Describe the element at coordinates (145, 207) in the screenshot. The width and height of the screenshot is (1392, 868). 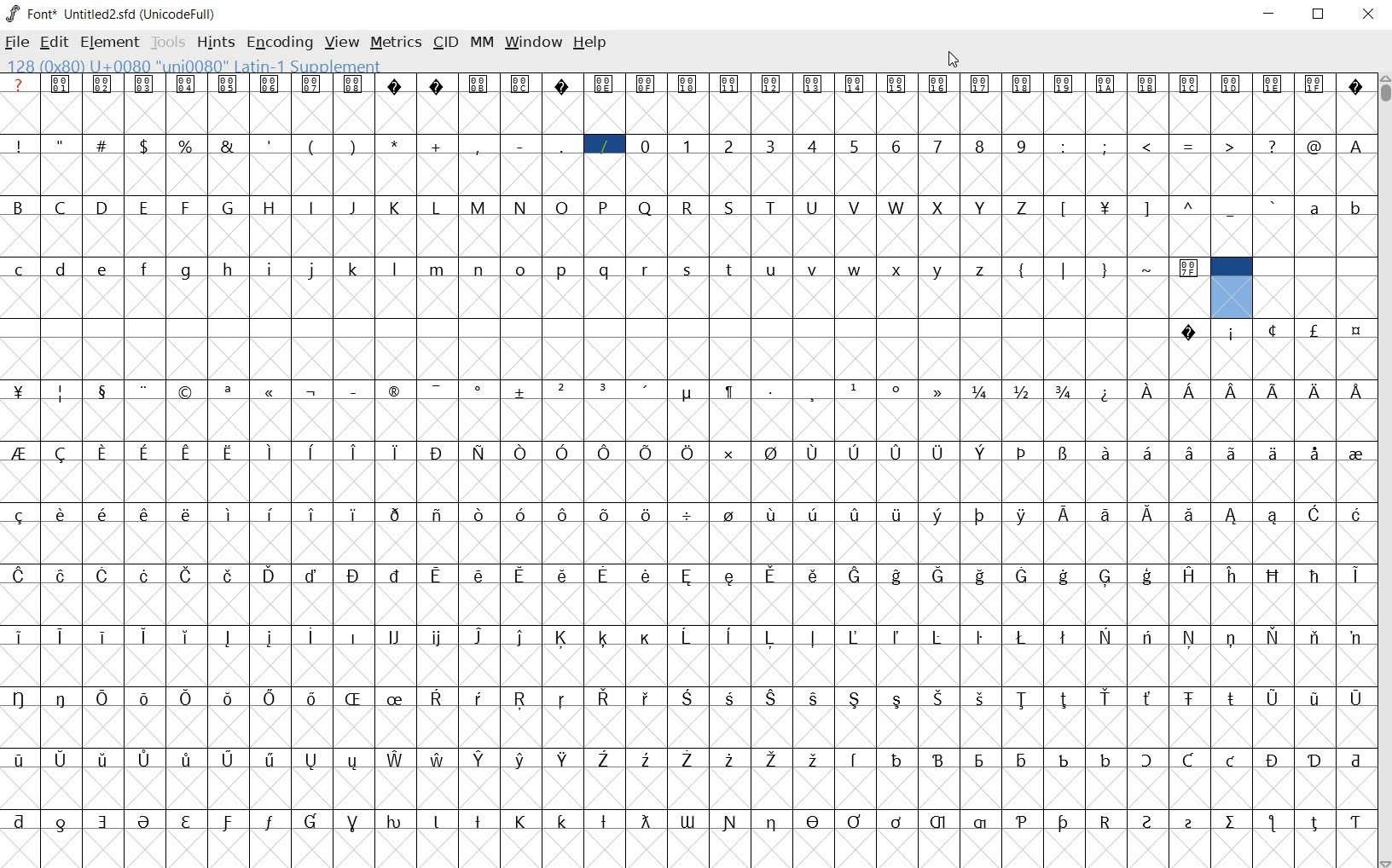
I see `E` at that location.